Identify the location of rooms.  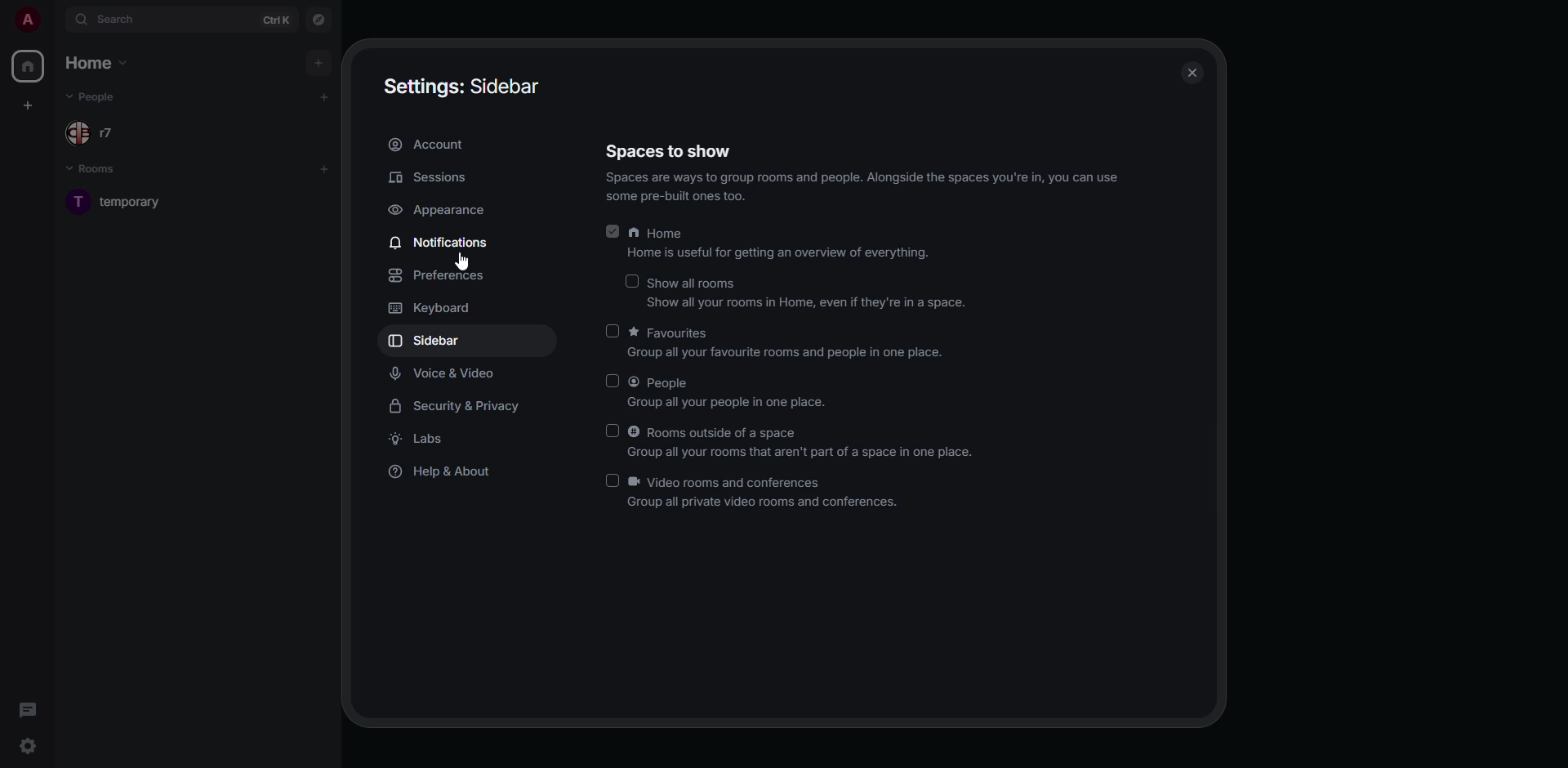
(101, 170).